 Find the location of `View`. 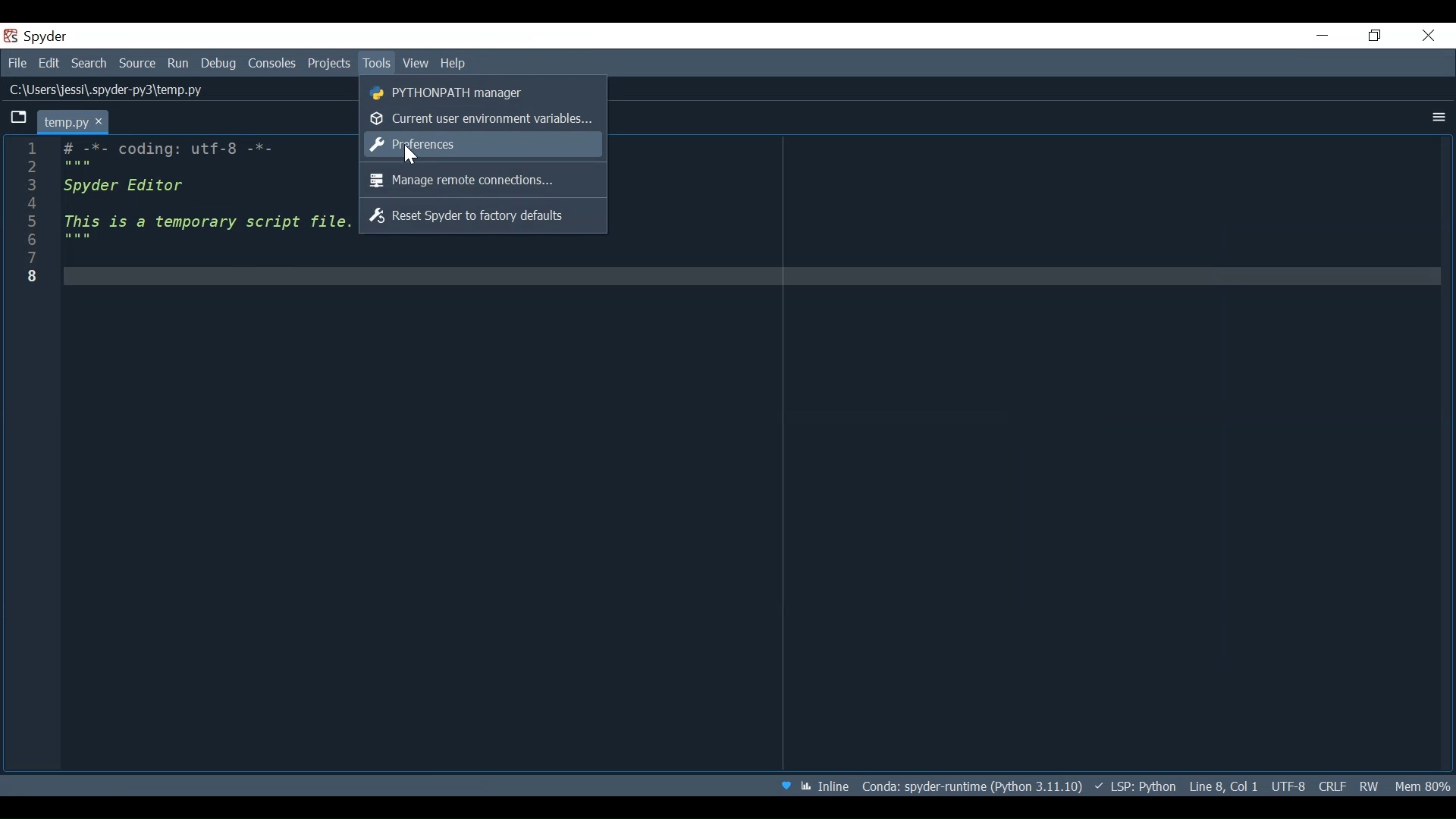

View is located at coordinates (416, 64).